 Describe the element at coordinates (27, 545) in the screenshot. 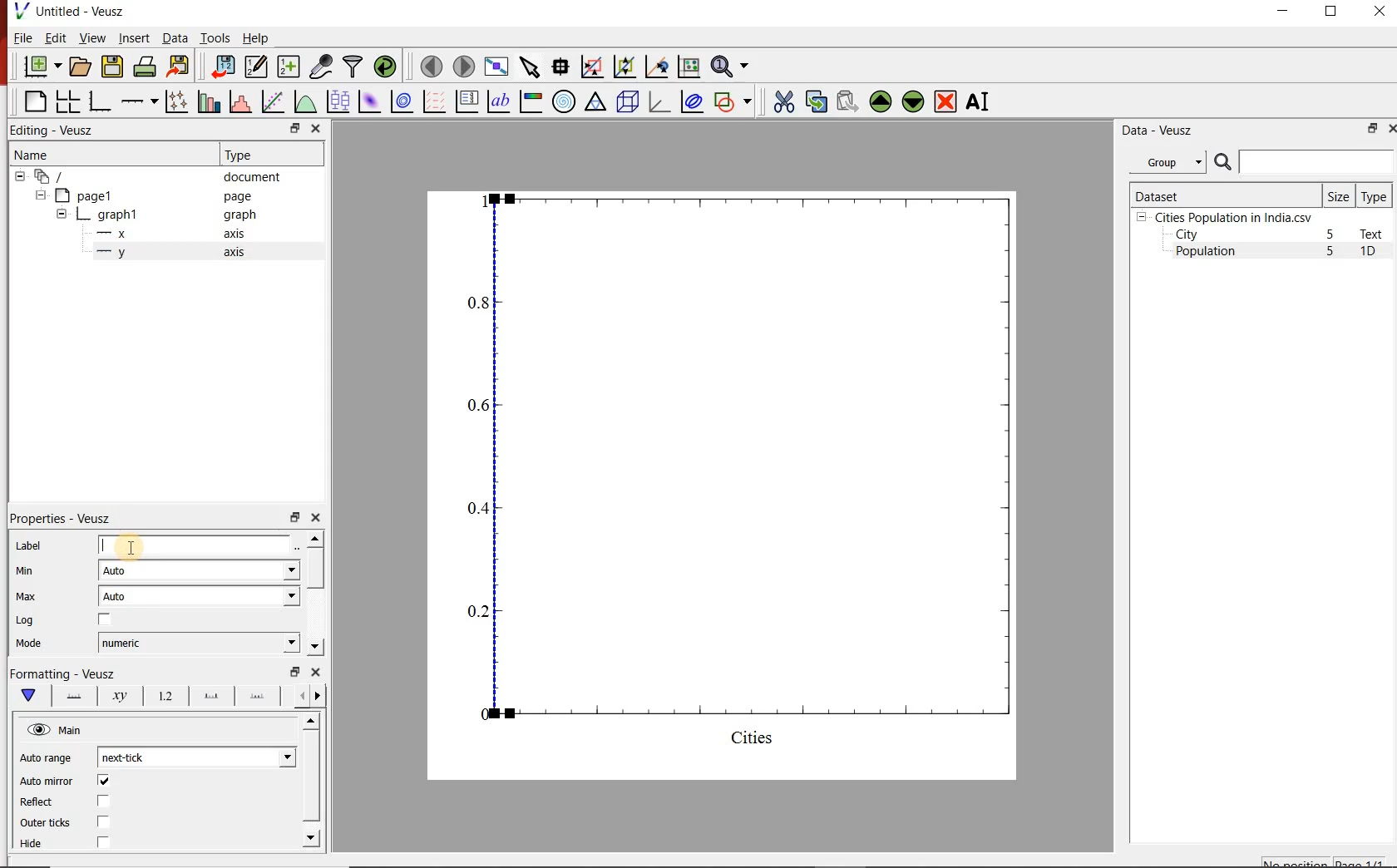

I see `Label` at that location.